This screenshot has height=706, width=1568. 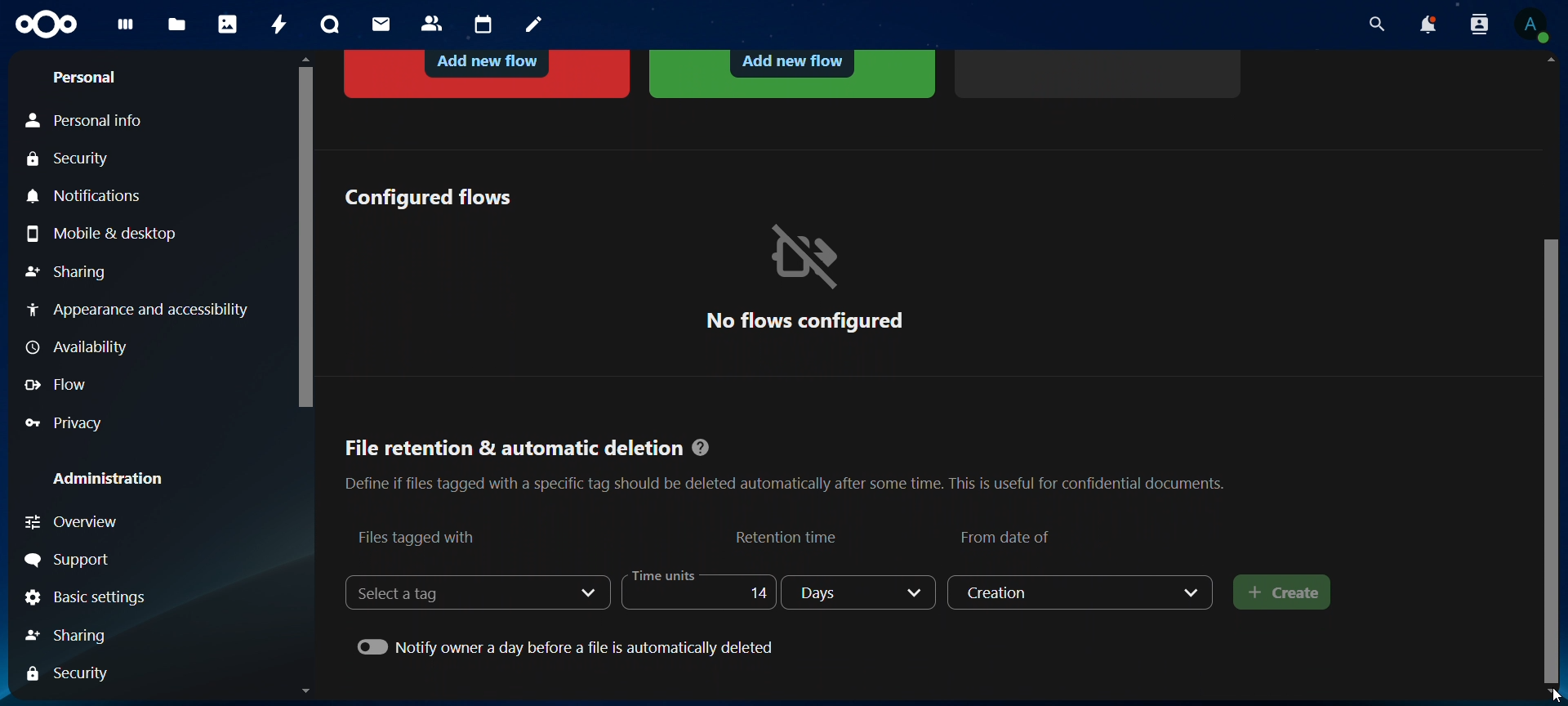 What do you see at coordinates (1101, 72) in the screenshot?
I see `add more flows` at bounding box center [1101, 72].